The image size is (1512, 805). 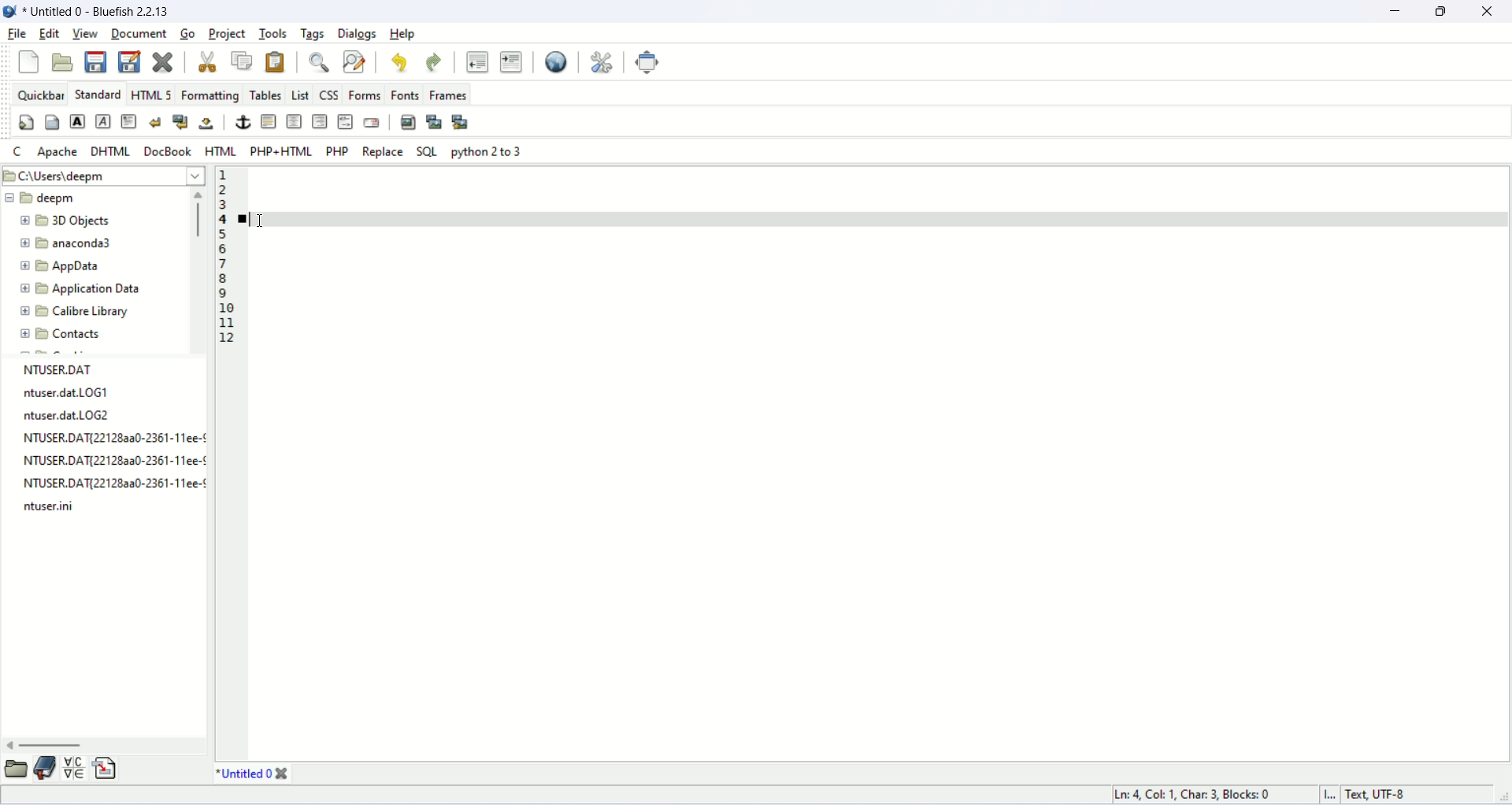 I want to click on fonts, so click(x=406, y=95).